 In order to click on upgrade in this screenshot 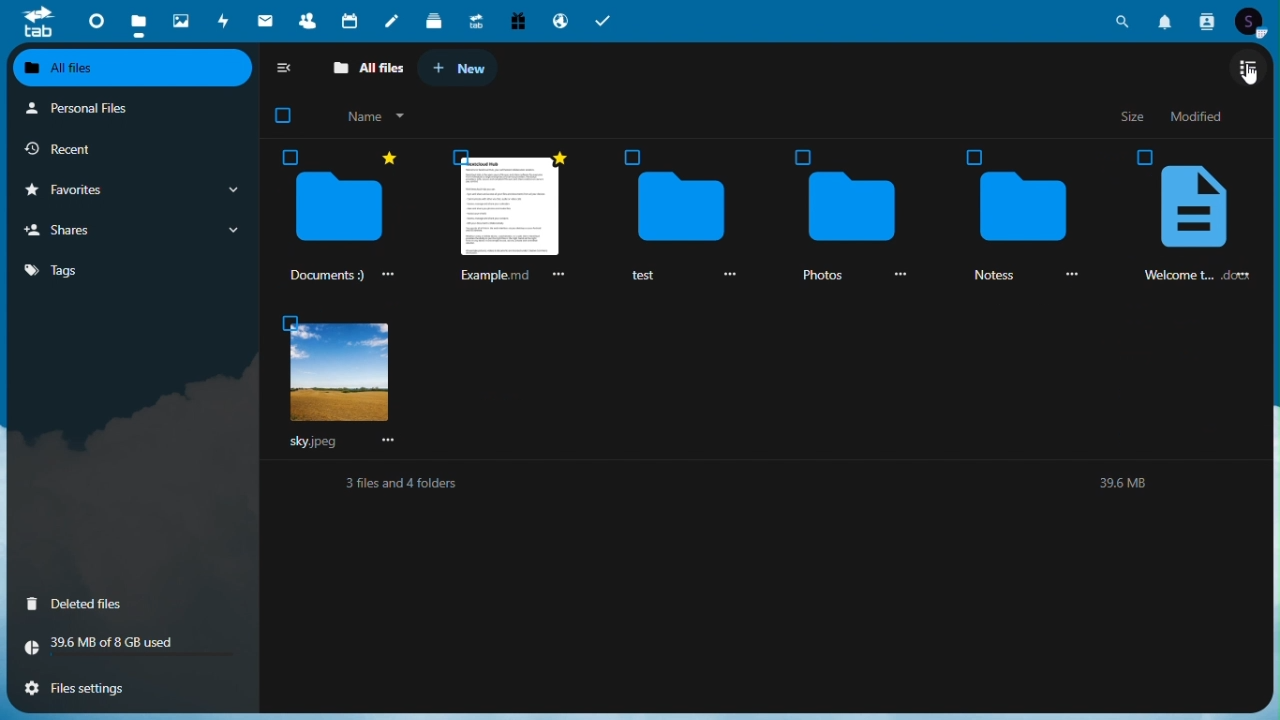, I will do `click(472, 21)`.